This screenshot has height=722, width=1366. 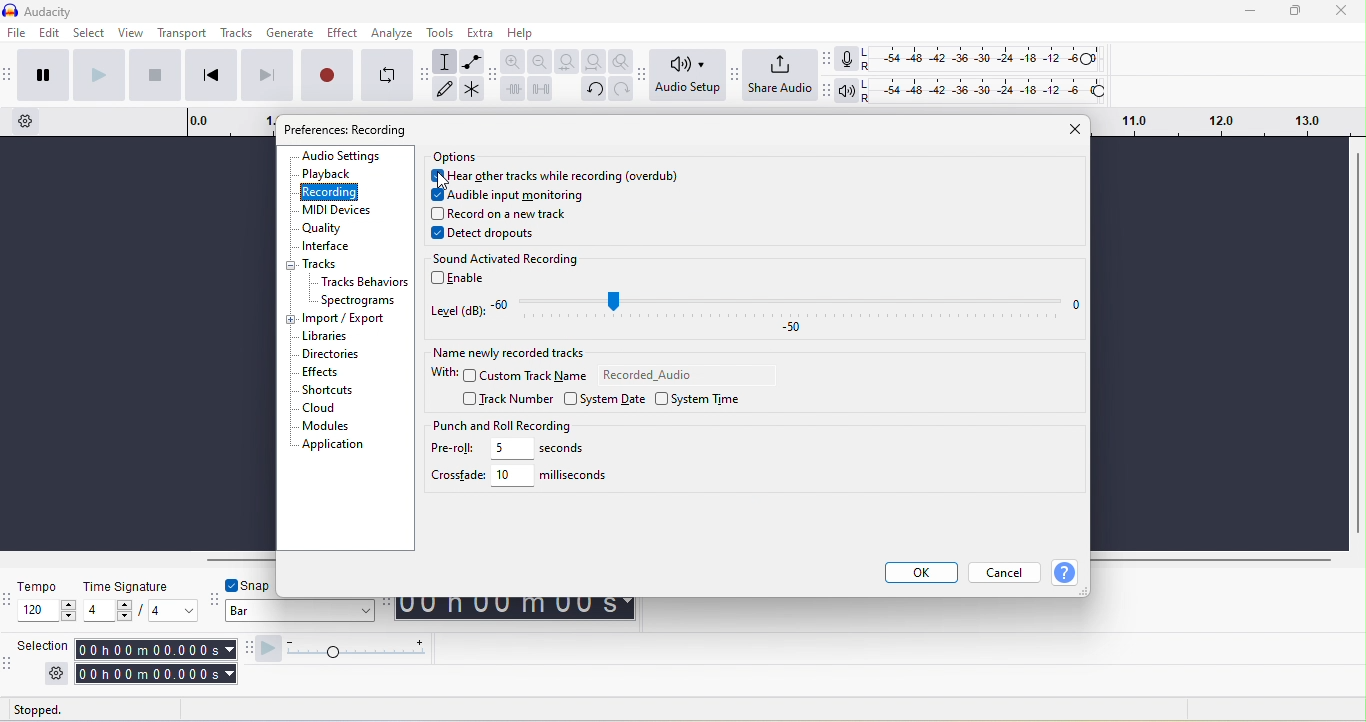 I want to click on recoding level, so click(x=983, y=58).